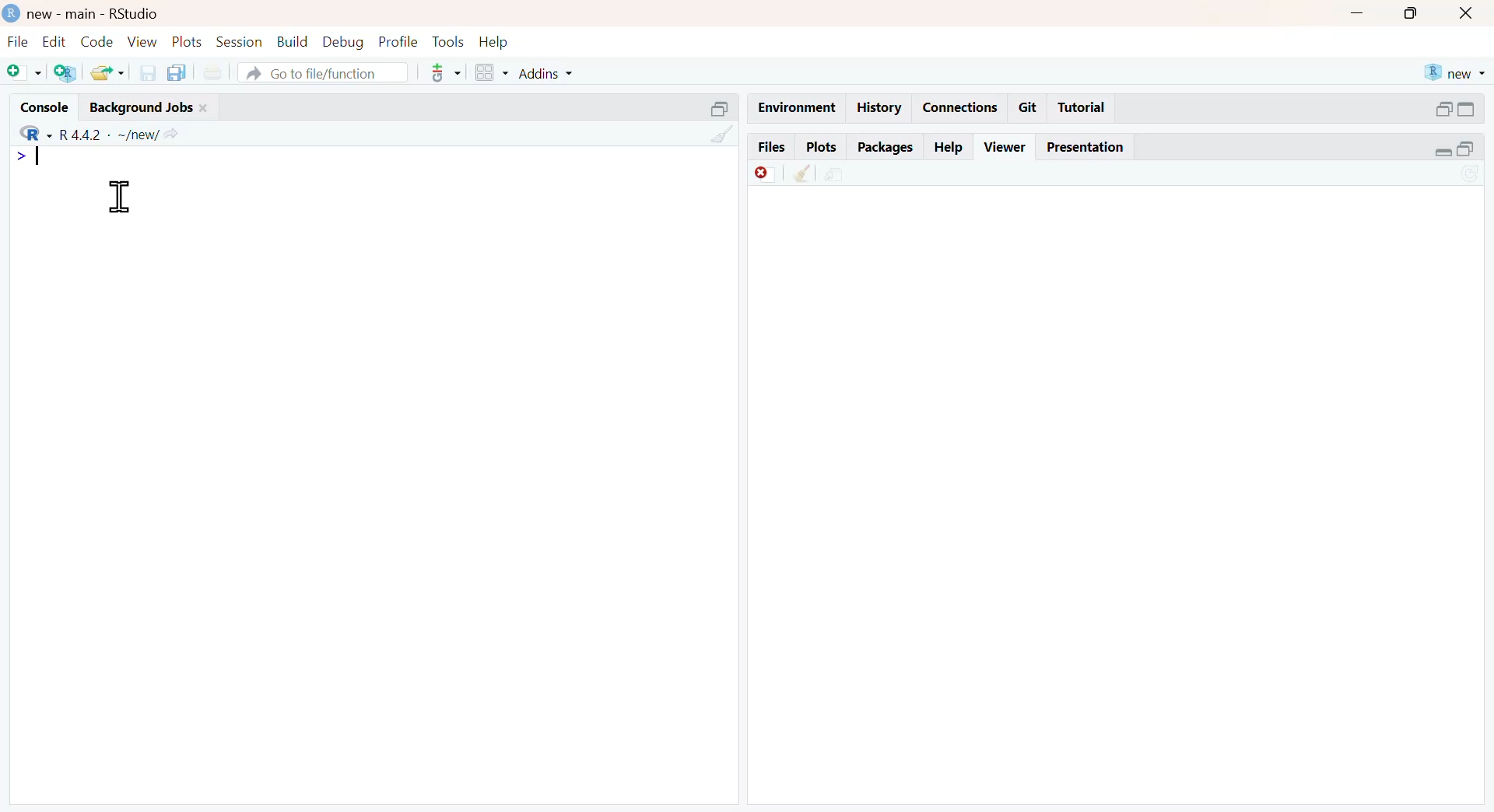 Image resolution: width=1494 pixels, height=812 pixels. Describe the element at coordinates (149, 73) in the screenshot. I see `save` at that location.